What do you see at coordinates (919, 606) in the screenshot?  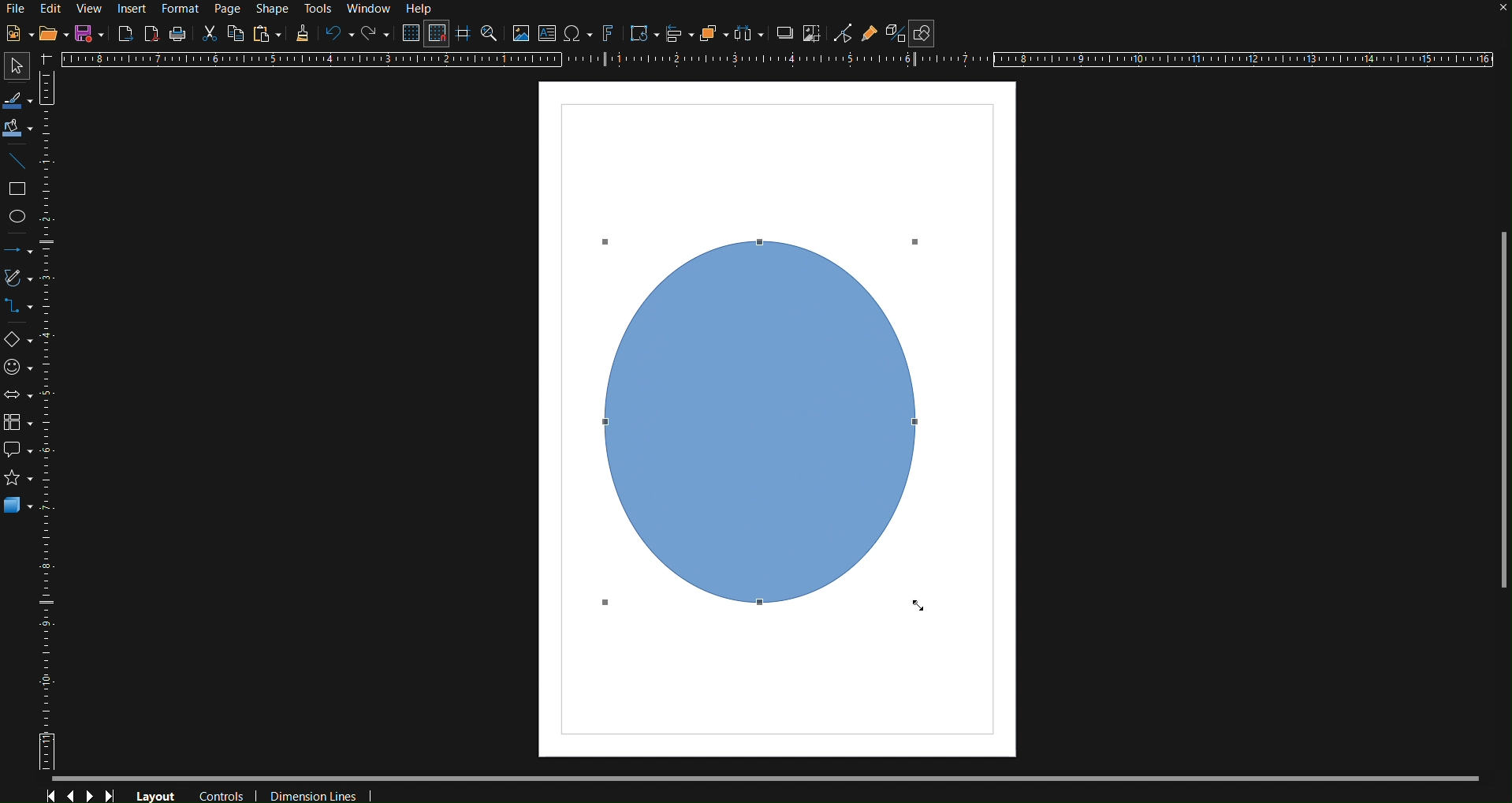 I see `Cursor` at bounding box center [919, 606].